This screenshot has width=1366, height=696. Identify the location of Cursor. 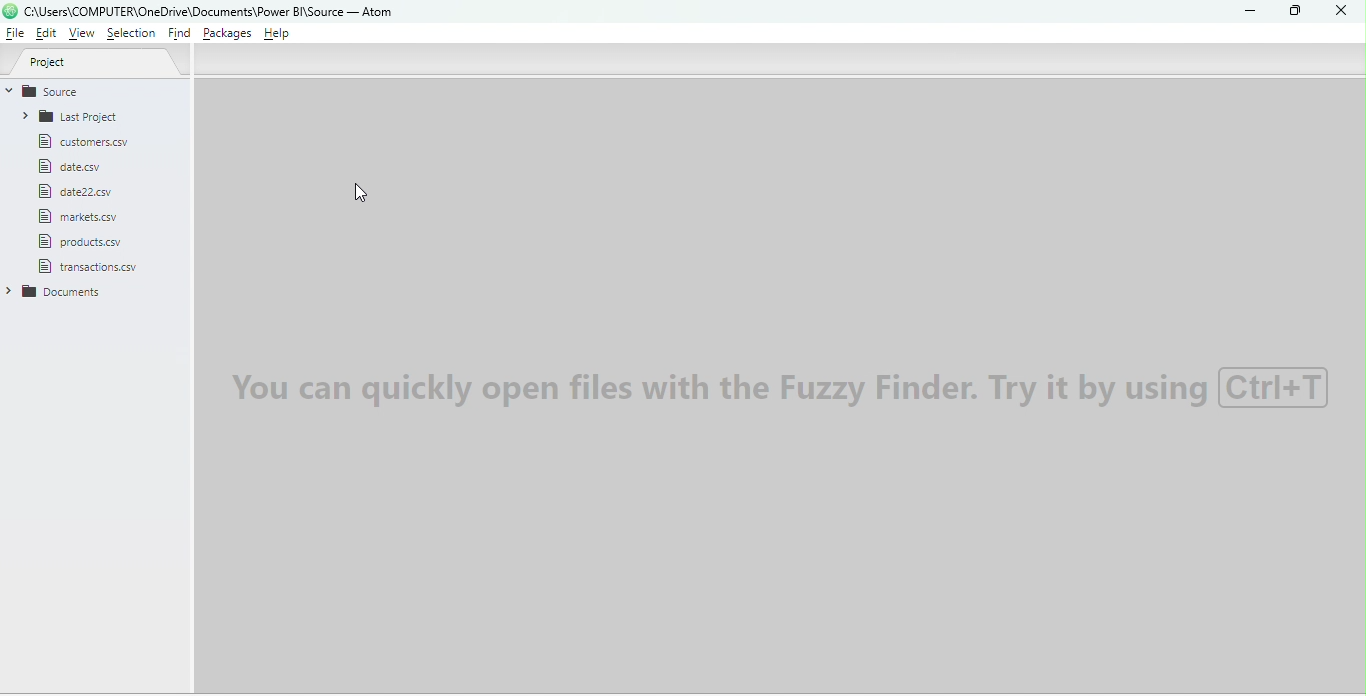
(359, 193).